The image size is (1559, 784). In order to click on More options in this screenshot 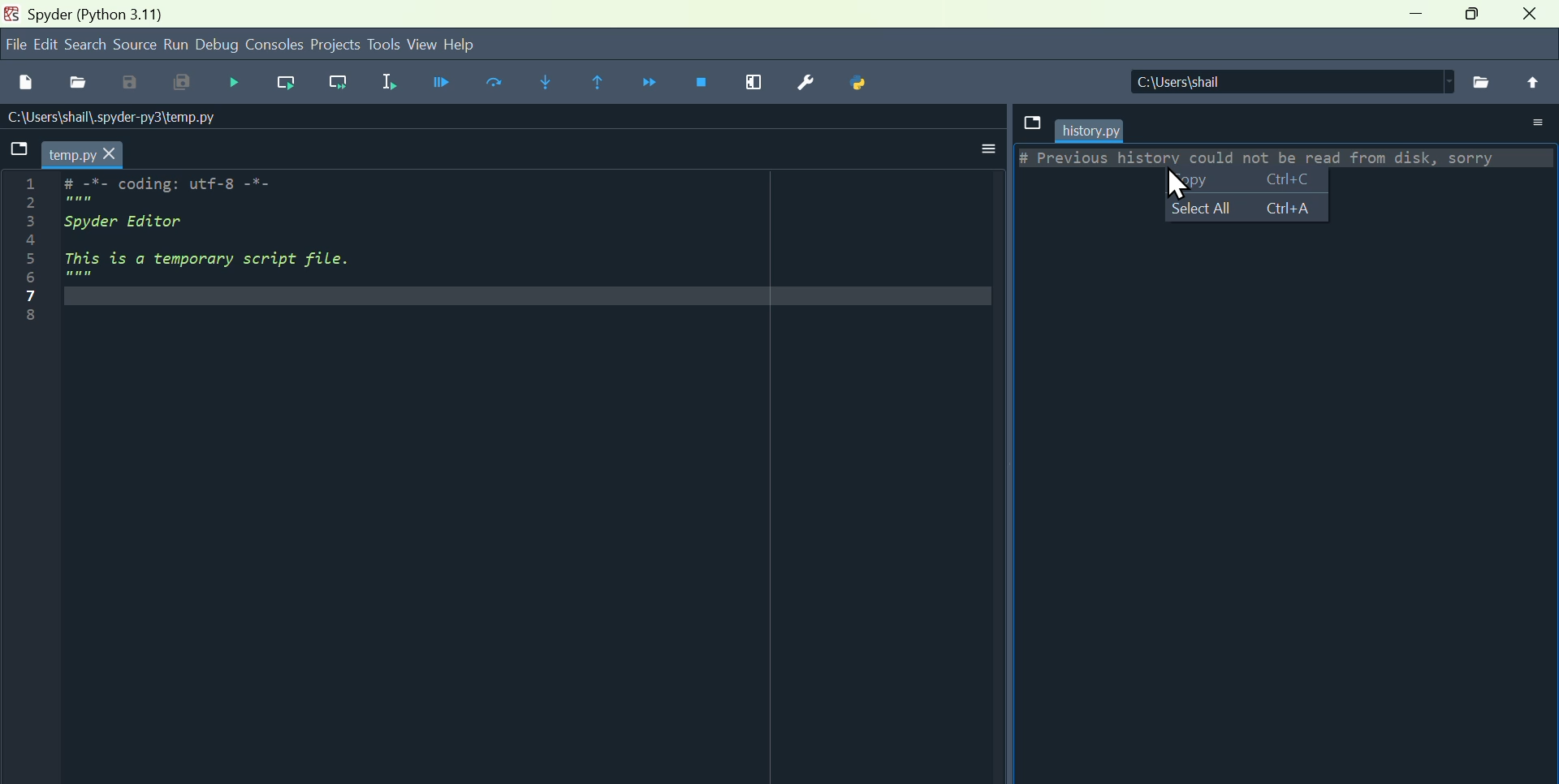, I will do `click(980, 149)`.